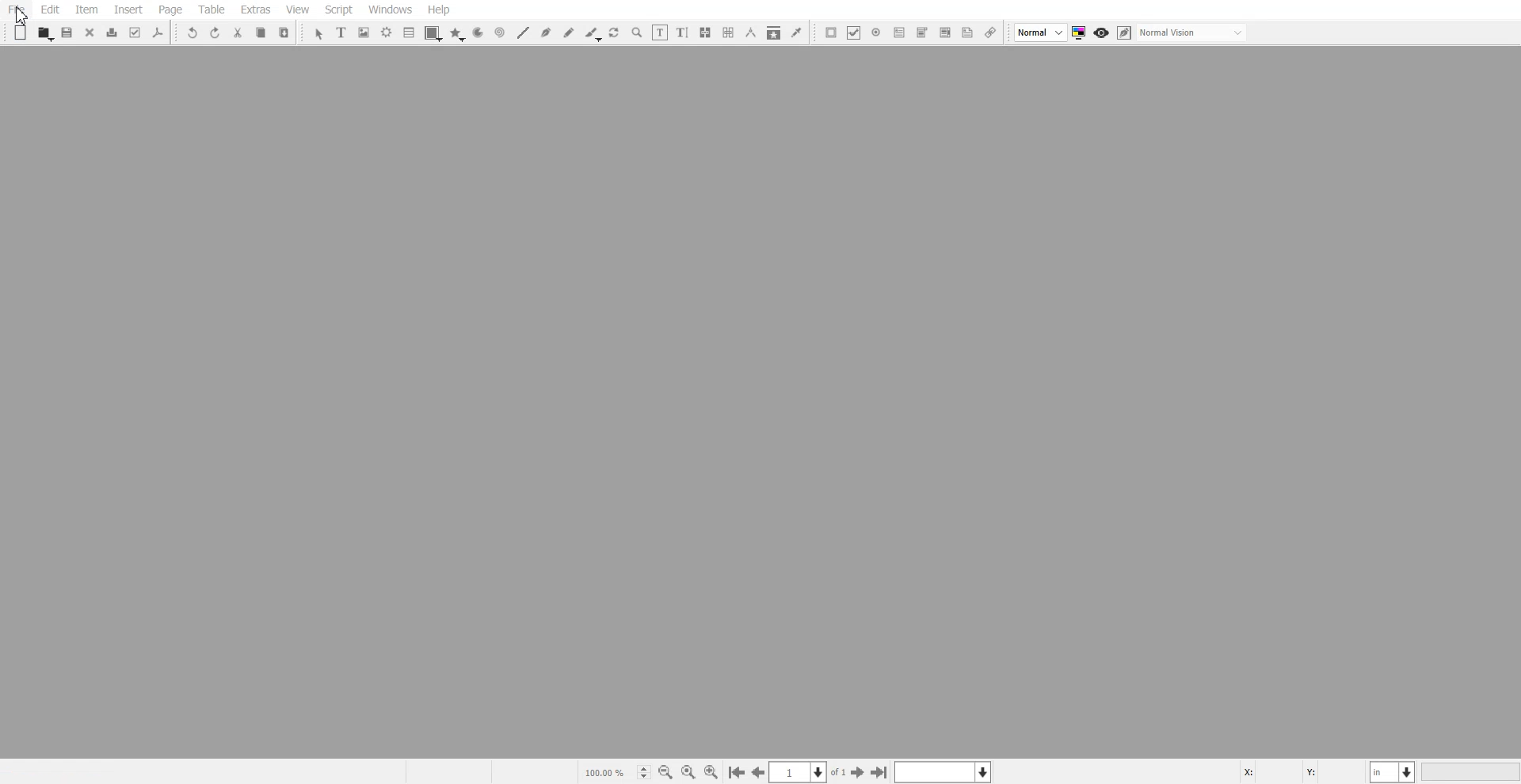 This screenshot has width=1521, height=784. Describe the element at coordinates (944, 33) in the screenshot. I see `PDF List Box` at that location.